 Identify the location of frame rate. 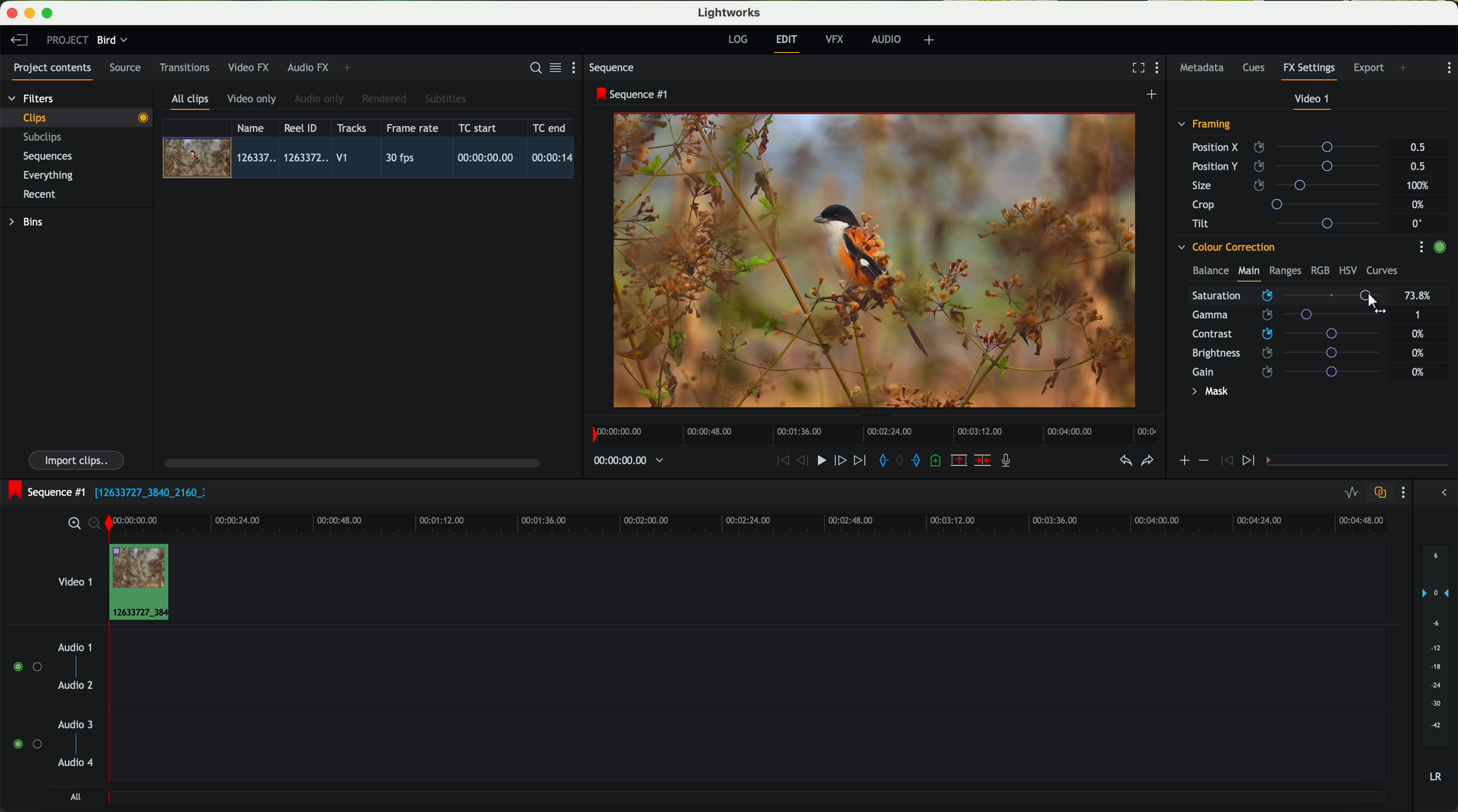
(413, 128).